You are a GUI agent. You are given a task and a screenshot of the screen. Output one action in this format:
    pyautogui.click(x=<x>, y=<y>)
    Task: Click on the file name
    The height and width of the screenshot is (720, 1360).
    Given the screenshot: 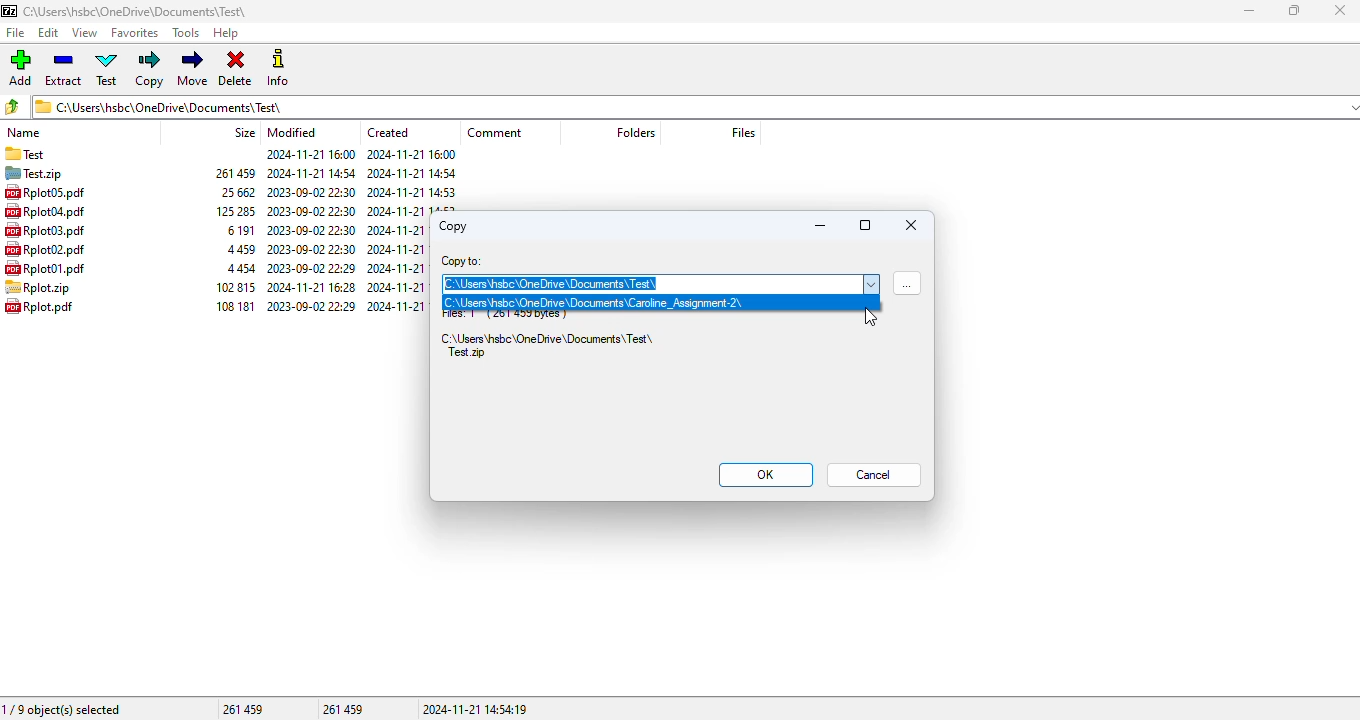 What is the action you would take?
    pyautogui.click(x=44, y=192)
    